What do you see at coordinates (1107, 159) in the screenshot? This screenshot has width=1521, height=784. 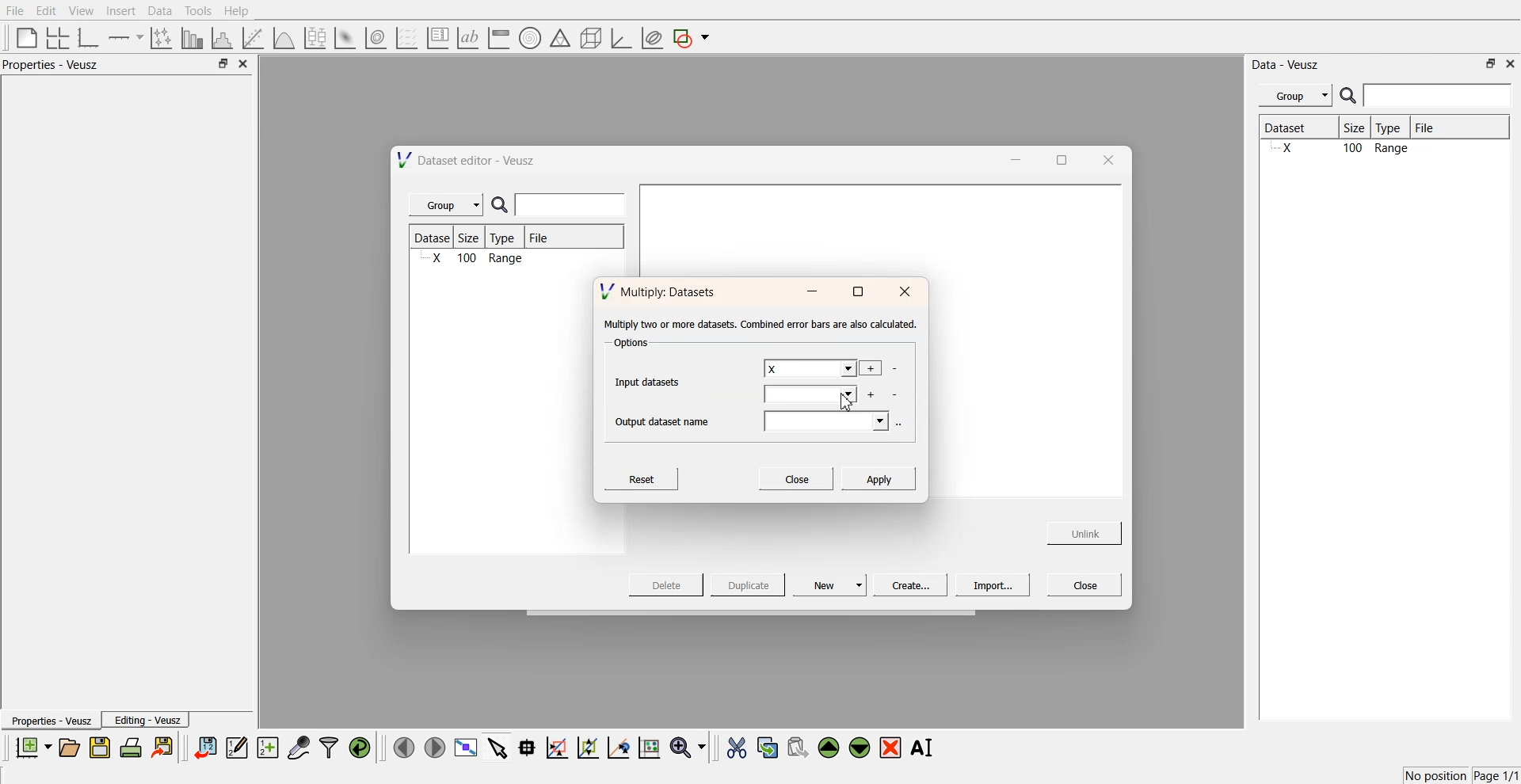 I see `close` at bounding box center [1107, 159].